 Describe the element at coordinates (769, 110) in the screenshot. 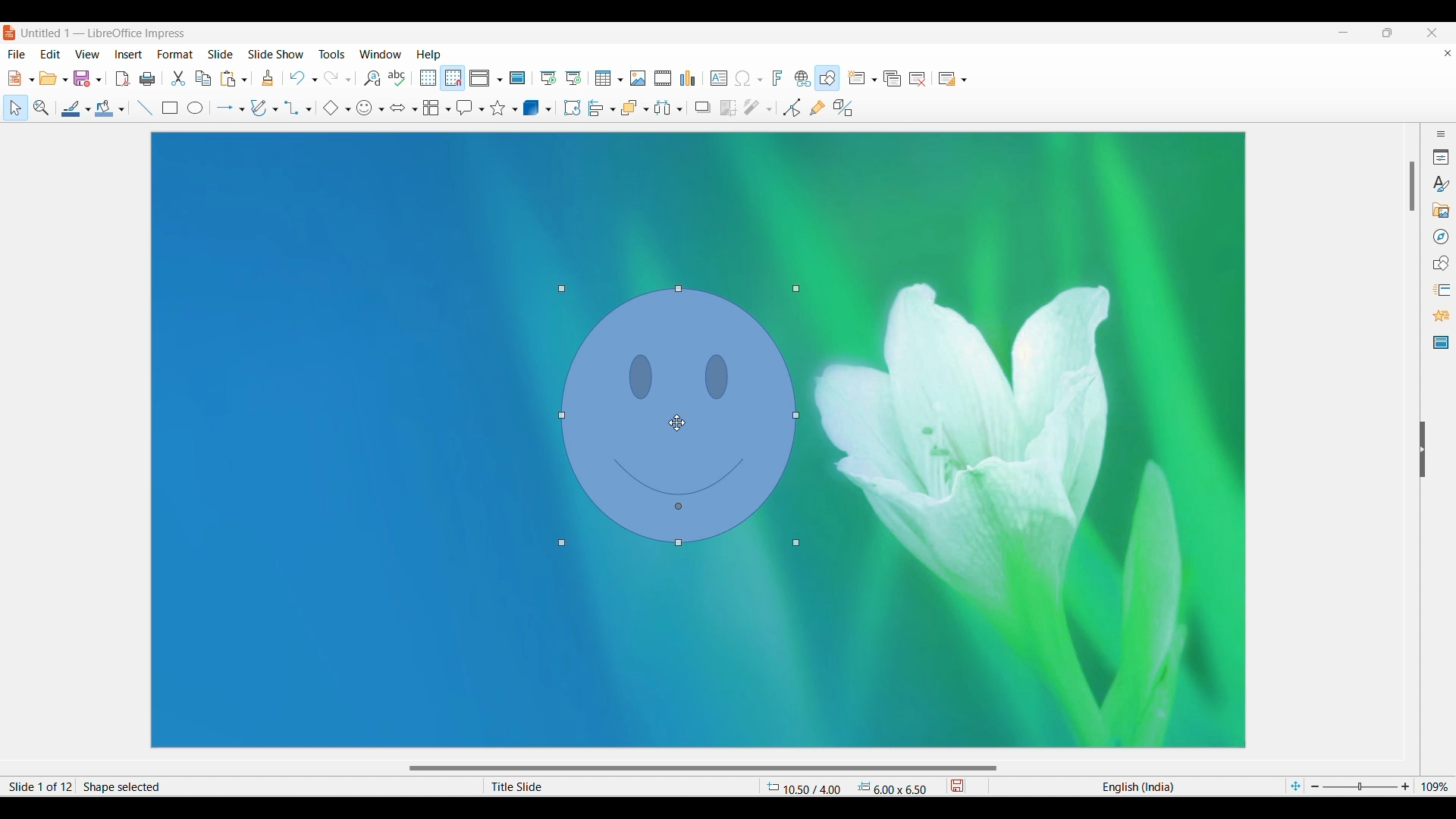

I see `Filter options` at that location.